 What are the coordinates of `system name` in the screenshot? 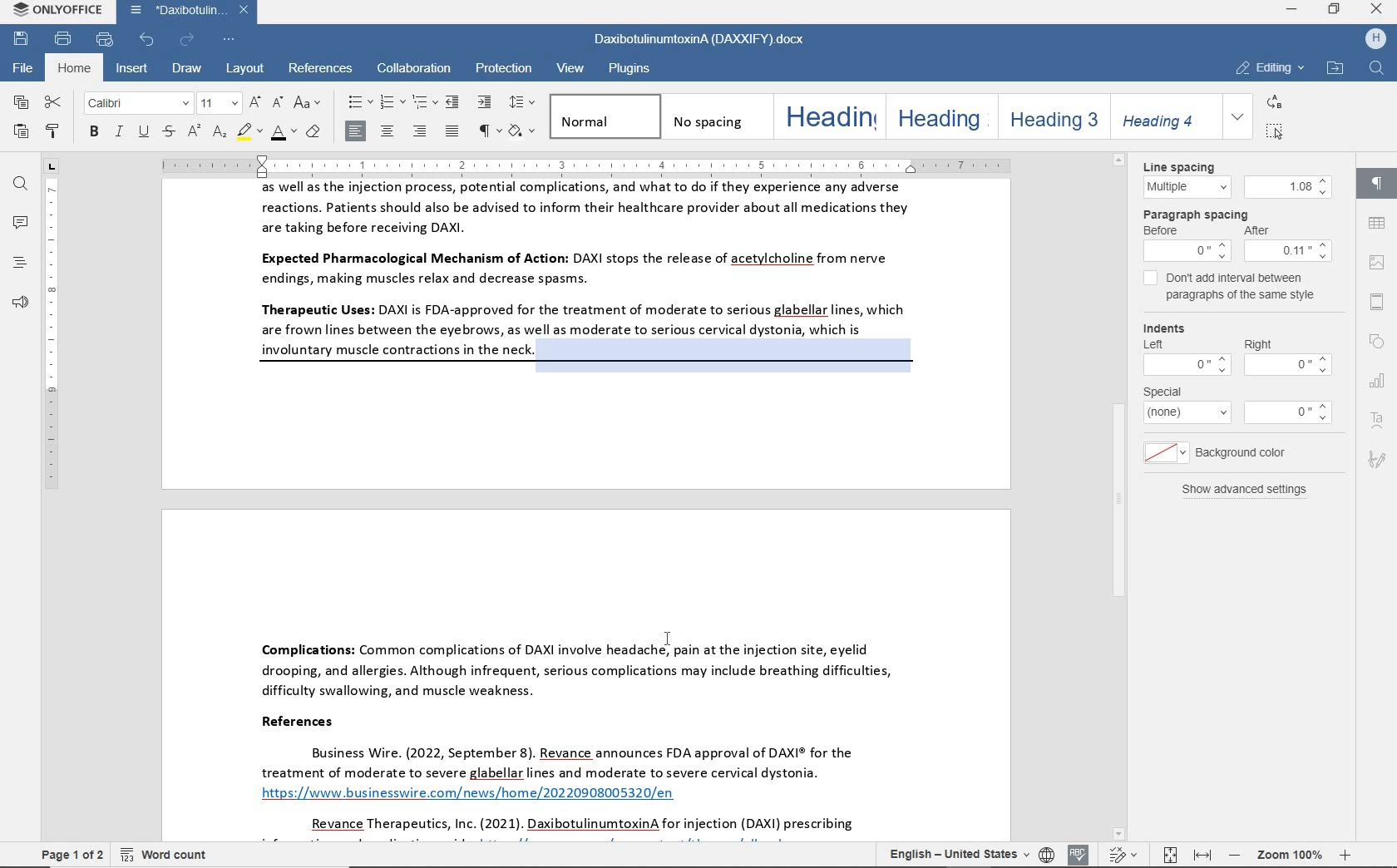 It's located at (56, 11).